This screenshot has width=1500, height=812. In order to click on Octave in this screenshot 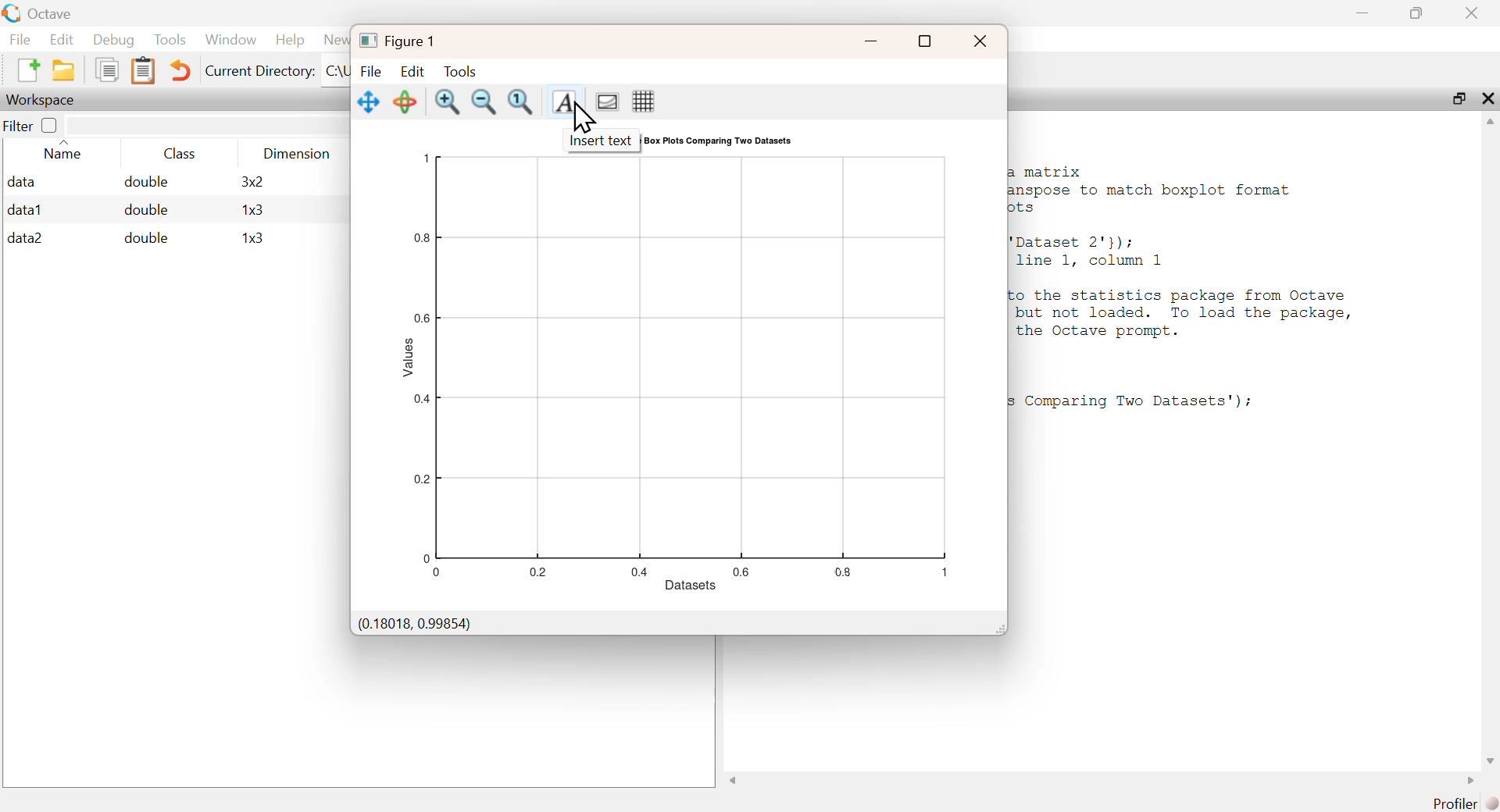, I will do `click(48, 14)`.